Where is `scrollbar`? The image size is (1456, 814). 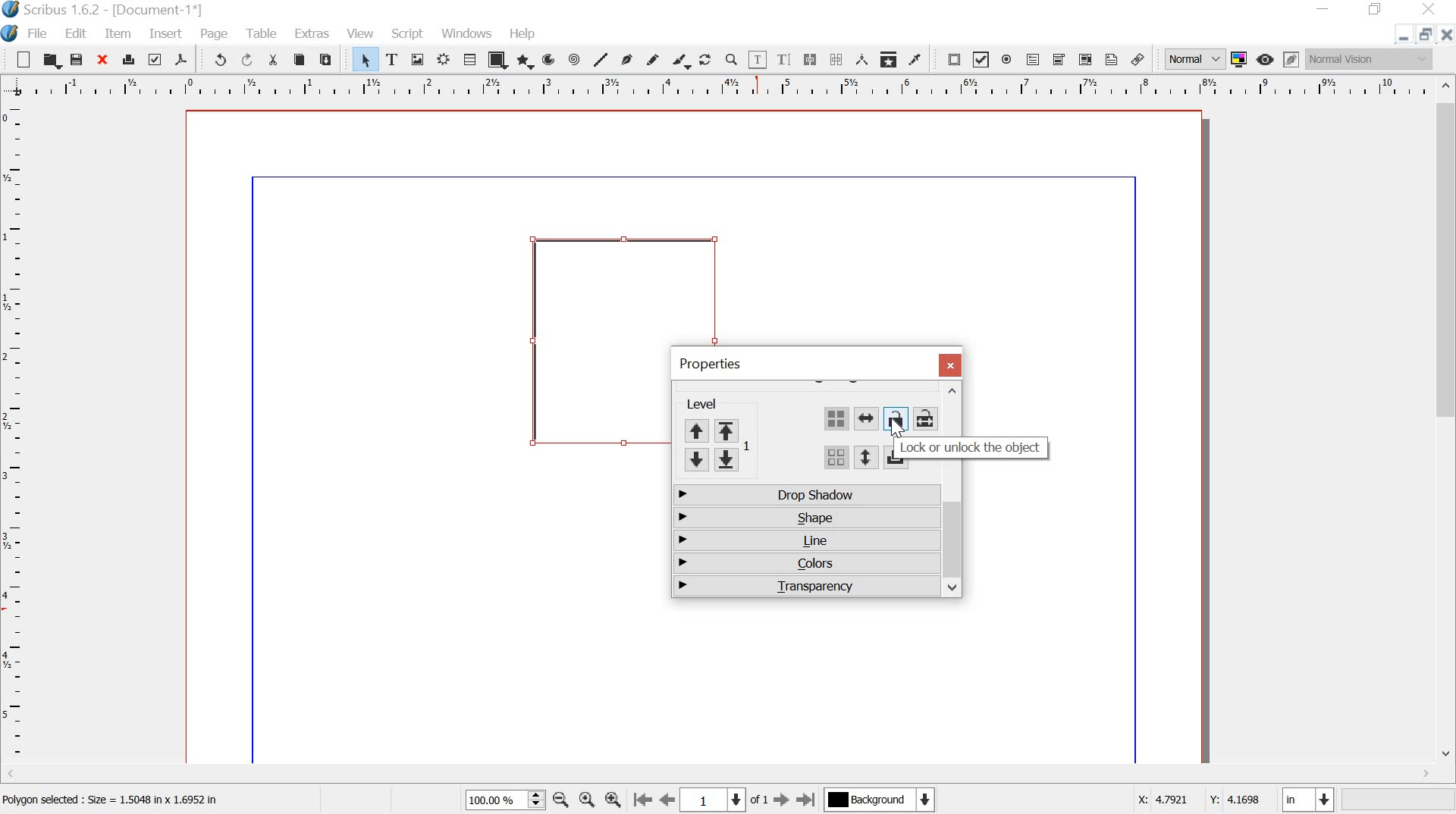
scrollbar is located at coordinates (1447, 423).